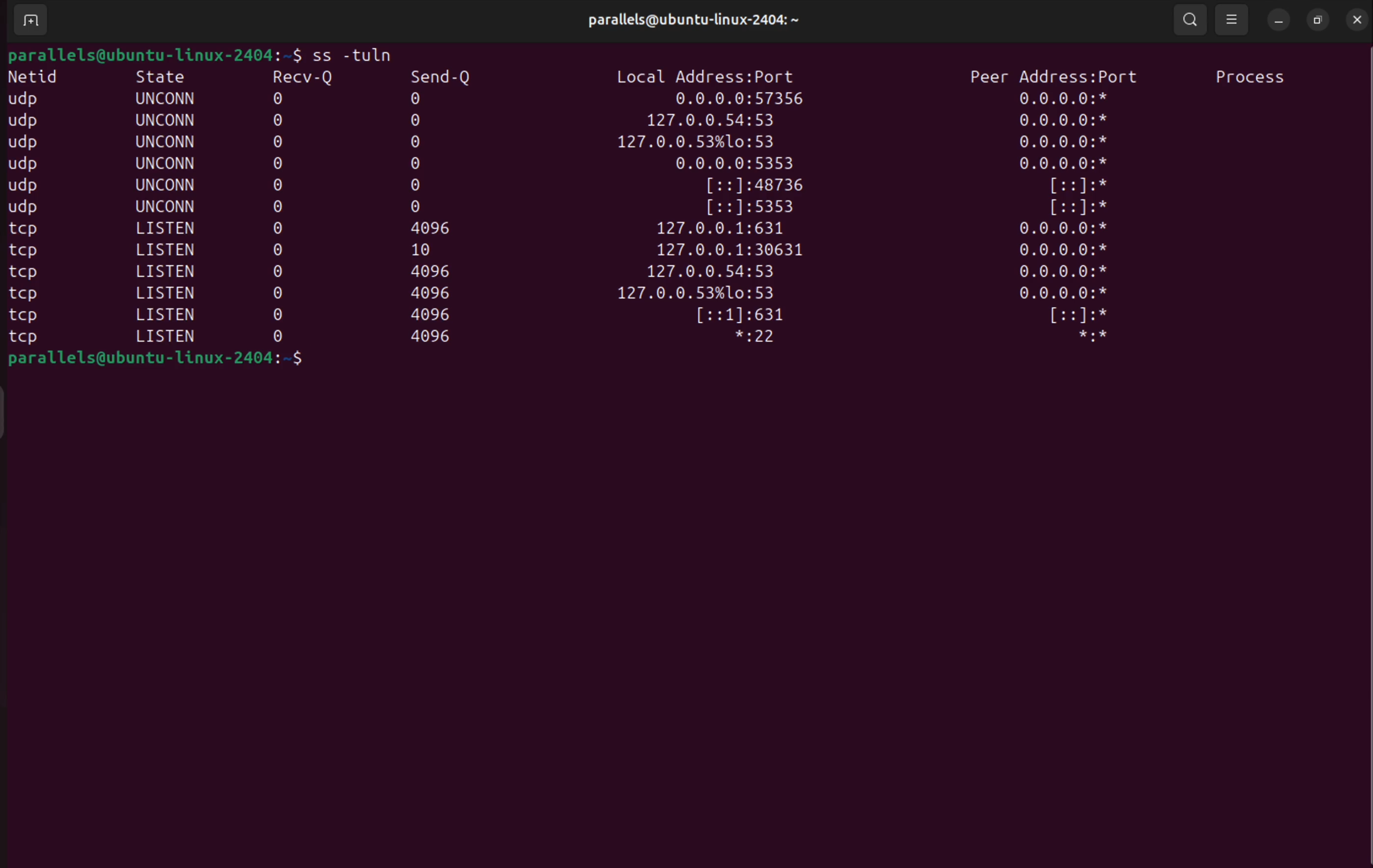  I want to click on state, so click(168, 76).